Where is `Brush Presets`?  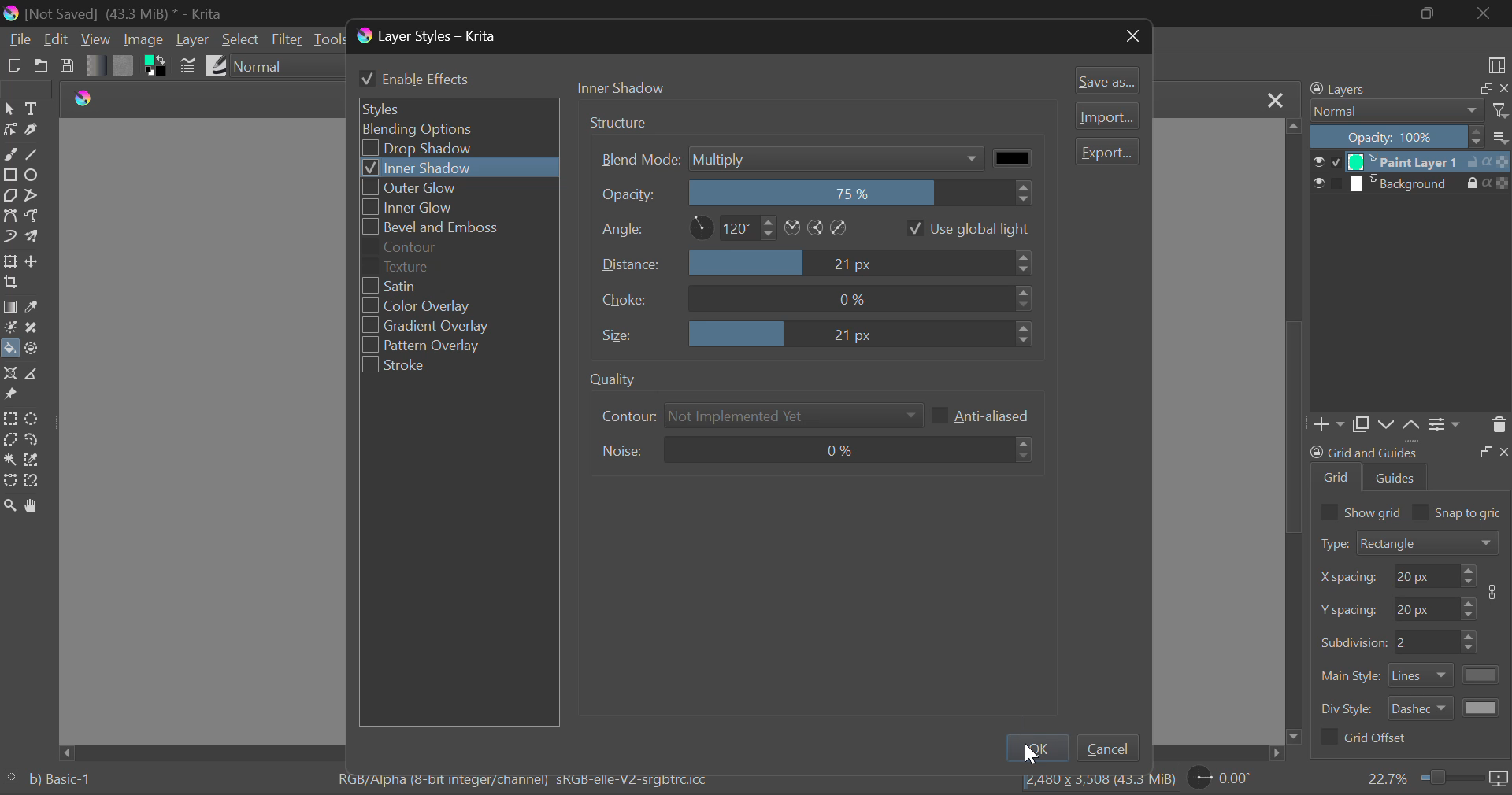 Brush Presets is located at coordinates (217, 65).